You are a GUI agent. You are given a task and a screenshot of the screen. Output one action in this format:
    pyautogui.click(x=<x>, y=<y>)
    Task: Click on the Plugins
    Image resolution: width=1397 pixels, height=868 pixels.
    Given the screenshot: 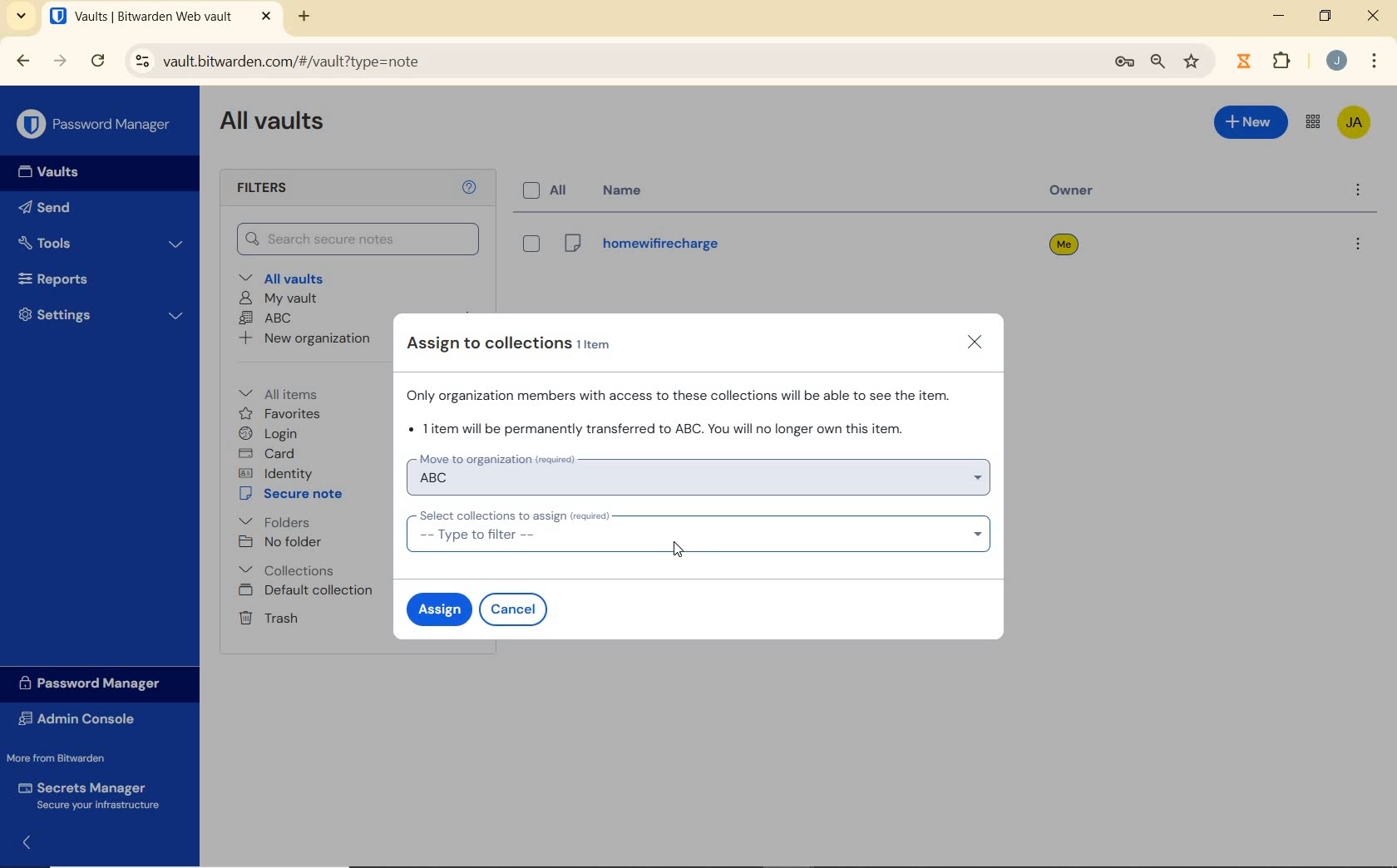 What is the action you would take?
    pyautogui.click(x=1285, y=59)
    